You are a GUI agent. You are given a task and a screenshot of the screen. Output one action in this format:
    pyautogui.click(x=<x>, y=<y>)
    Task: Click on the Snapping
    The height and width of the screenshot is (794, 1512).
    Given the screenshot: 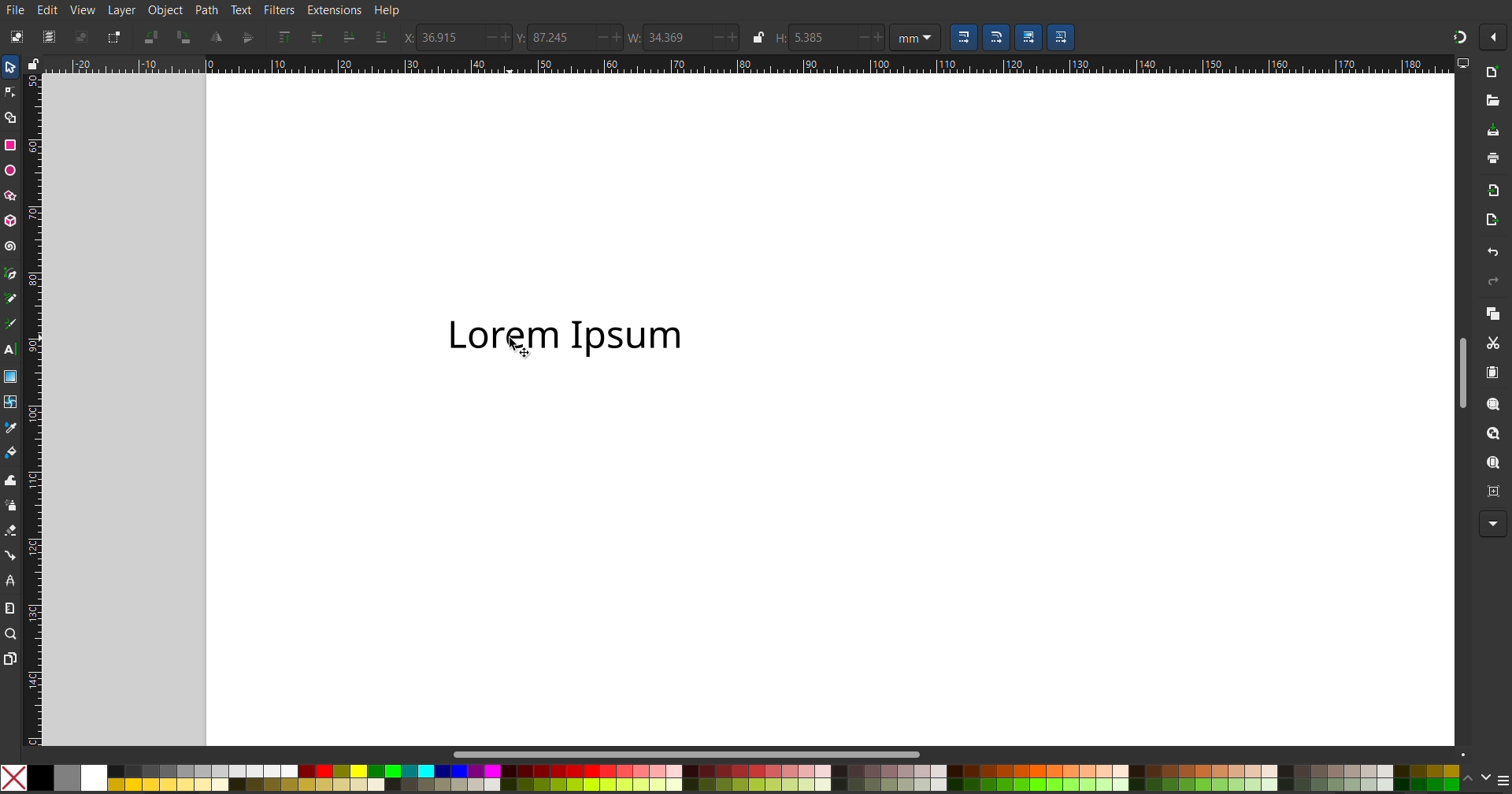 What is the action you would take?
    pyautogui.click(x=1456, y=38)
    